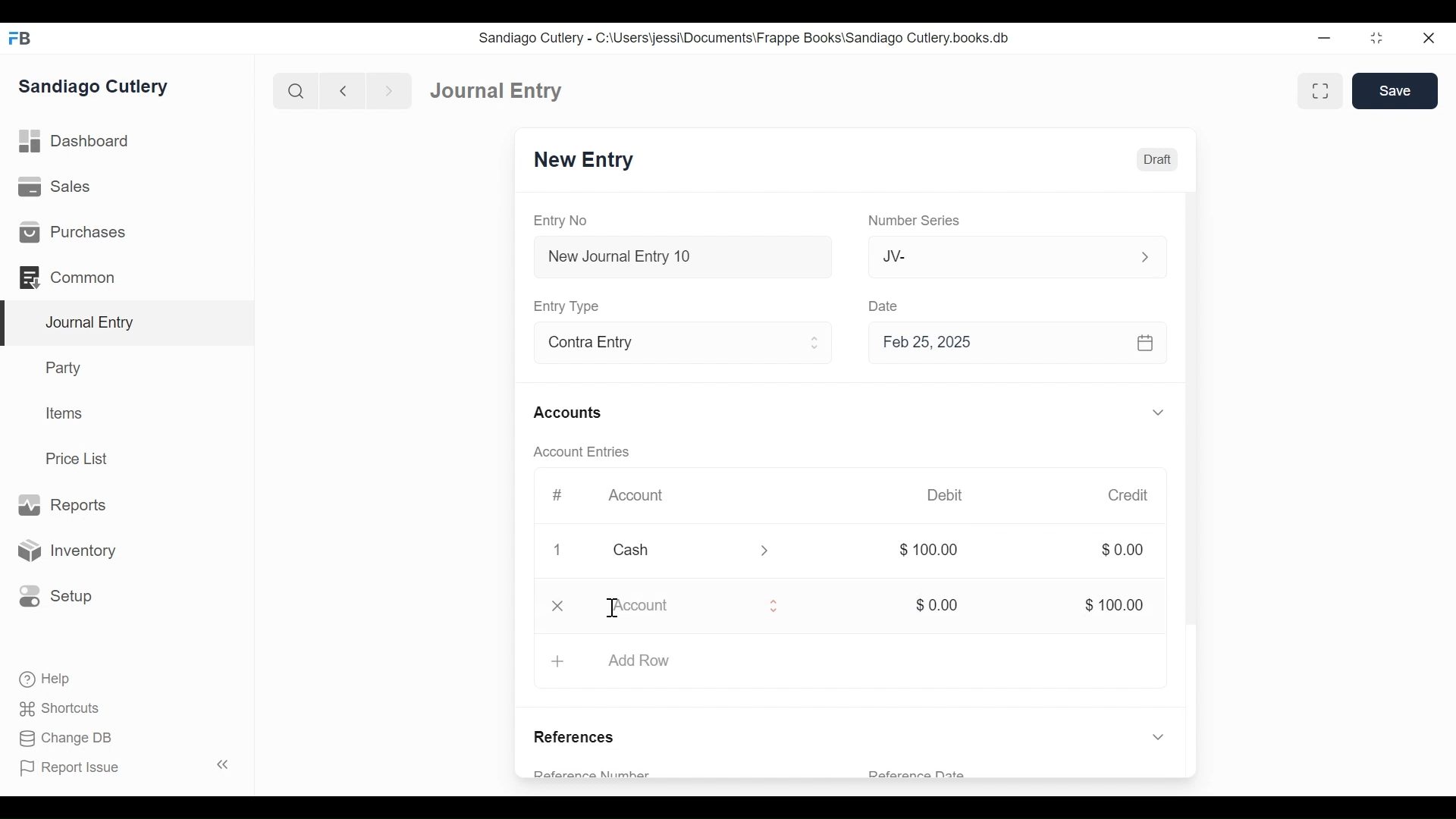  What do you see at coordinates (124, 767) in the screenshot?
I see `Report Issue` at bounding box center [124, 767].